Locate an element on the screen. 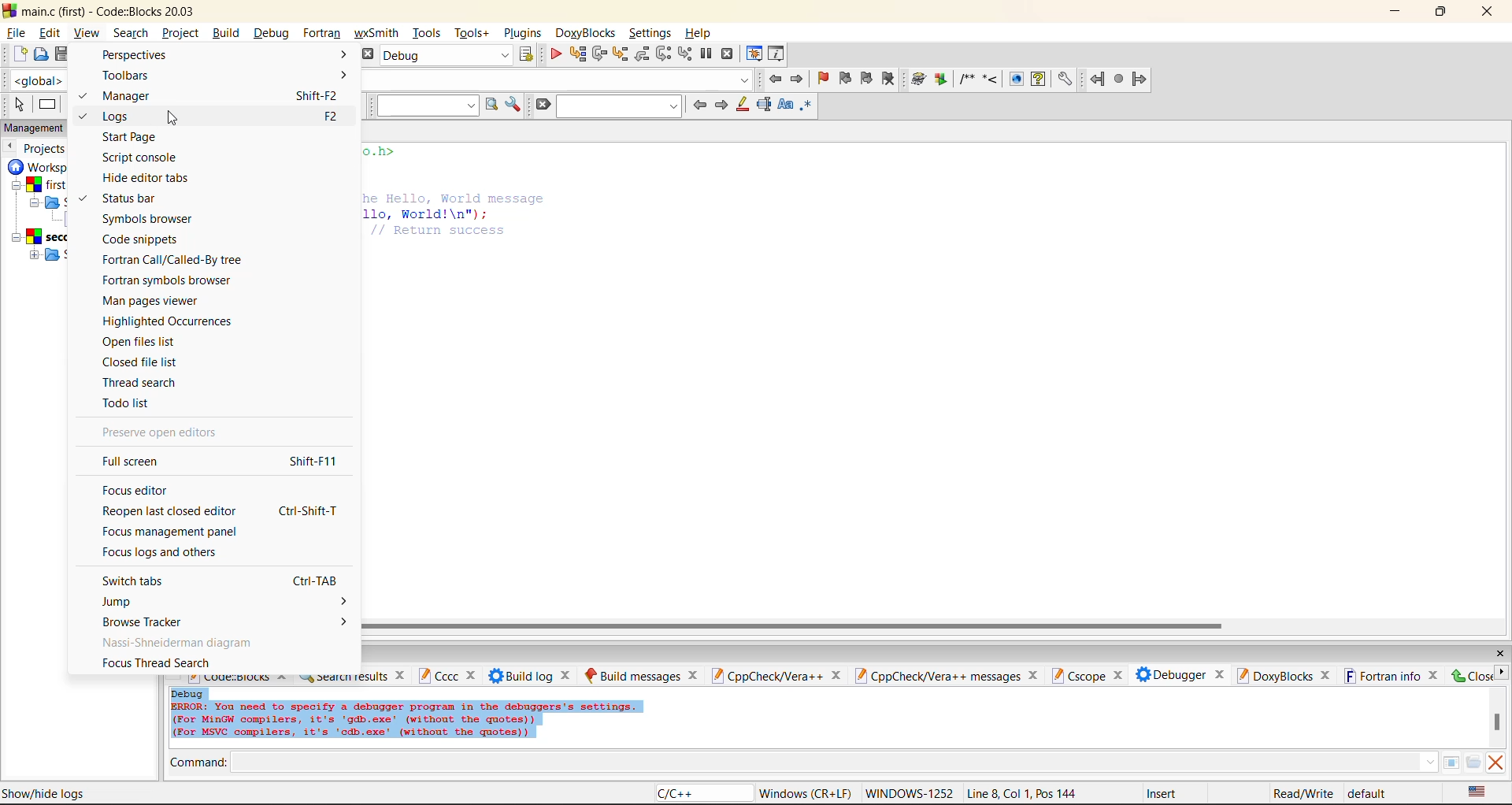  Shift+F11 is located at coordinates (312, 462).